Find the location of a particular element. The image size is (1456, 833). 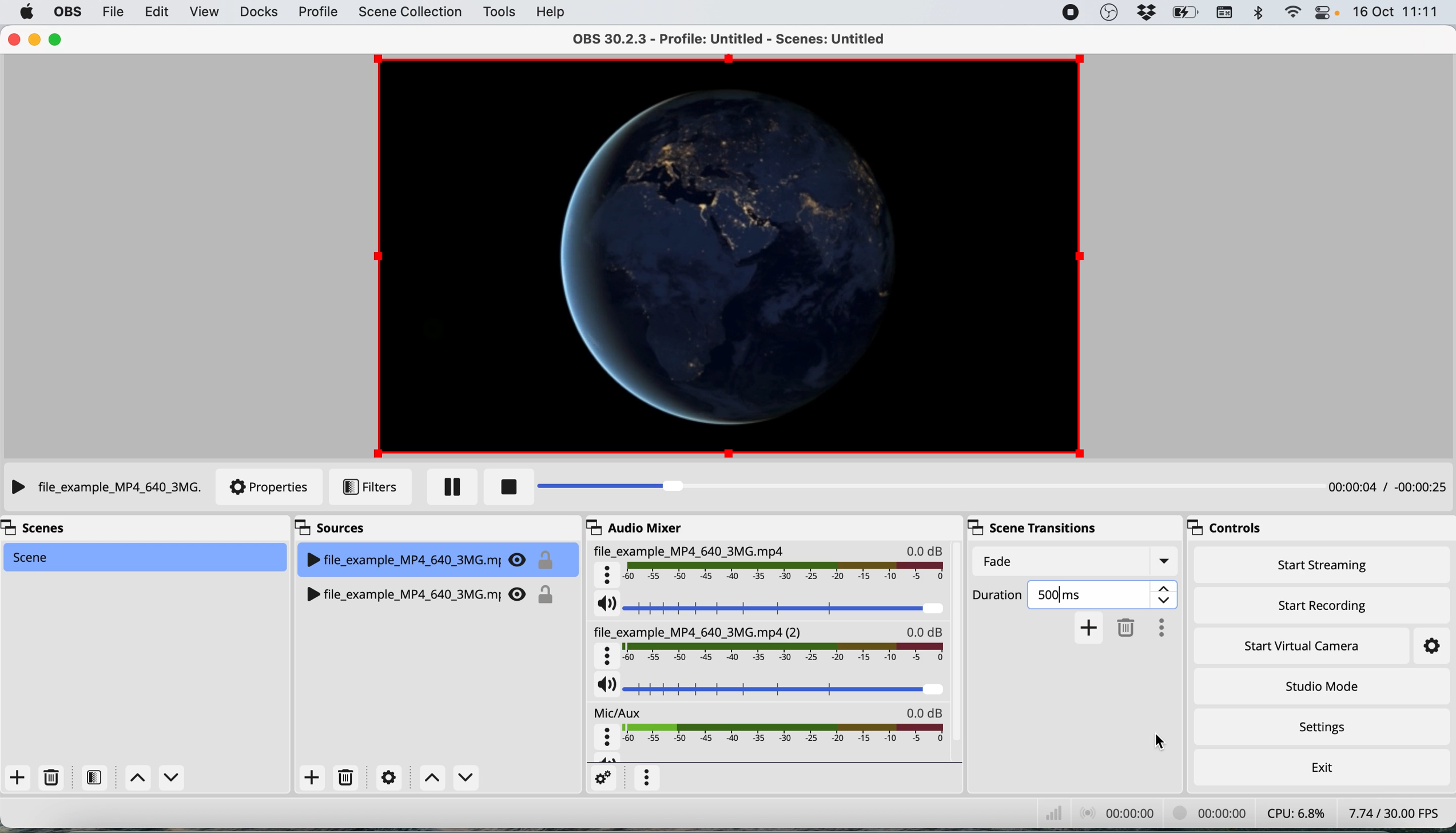

date and time is located at coordinates (1398, 12).